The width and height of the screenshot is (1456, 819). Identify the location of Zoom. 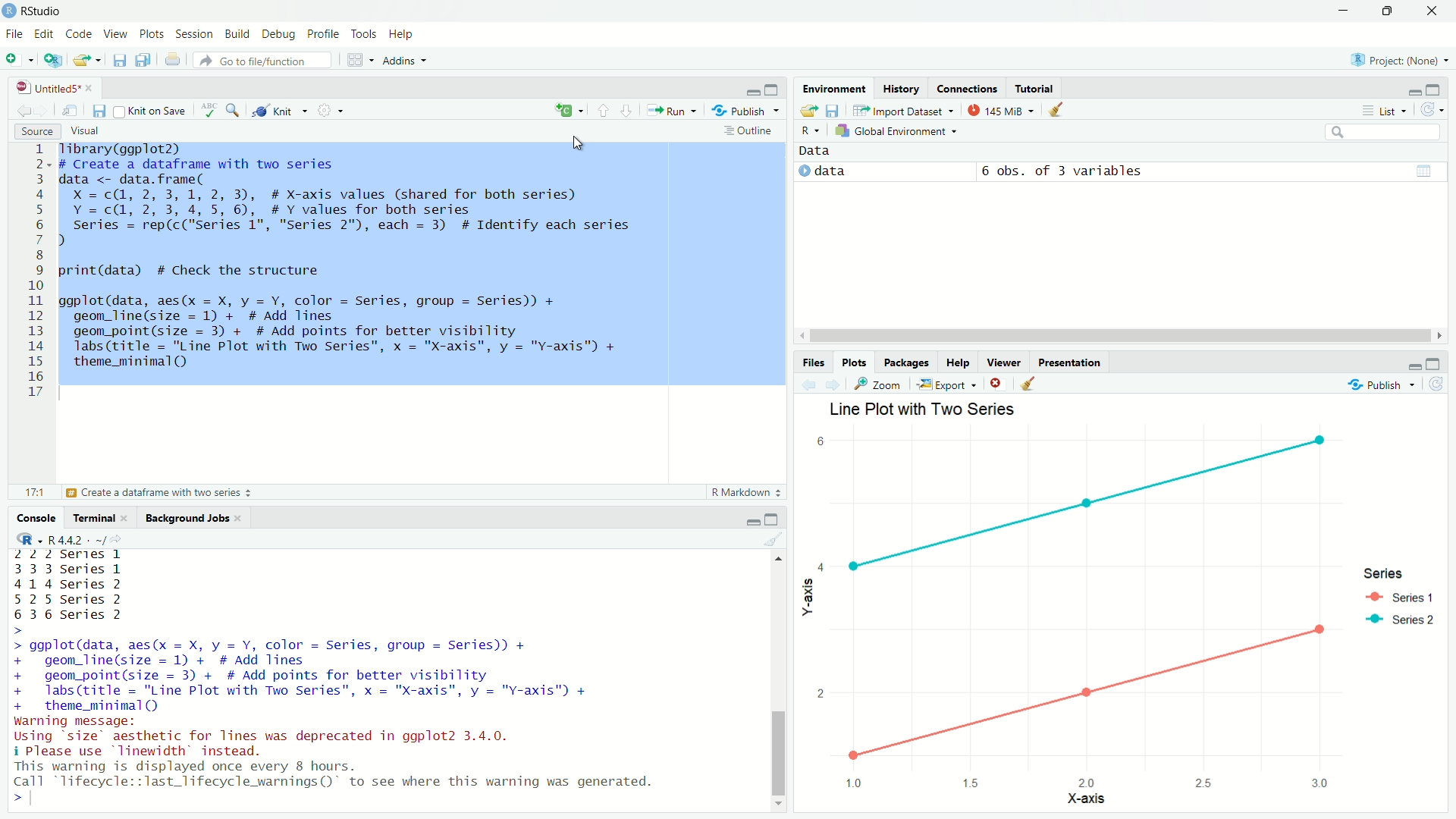
(877, 384).